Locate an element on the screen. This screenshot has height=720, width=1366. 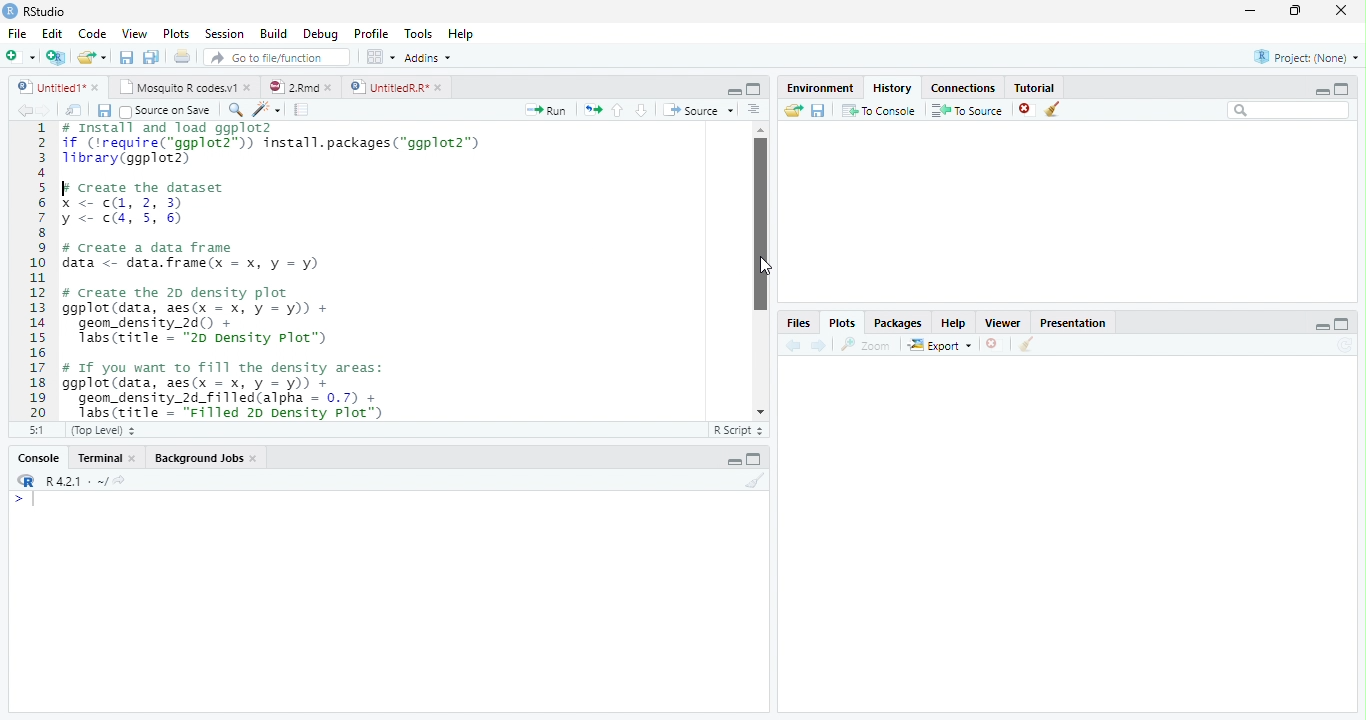
Help is located at coordinates (460, 35).